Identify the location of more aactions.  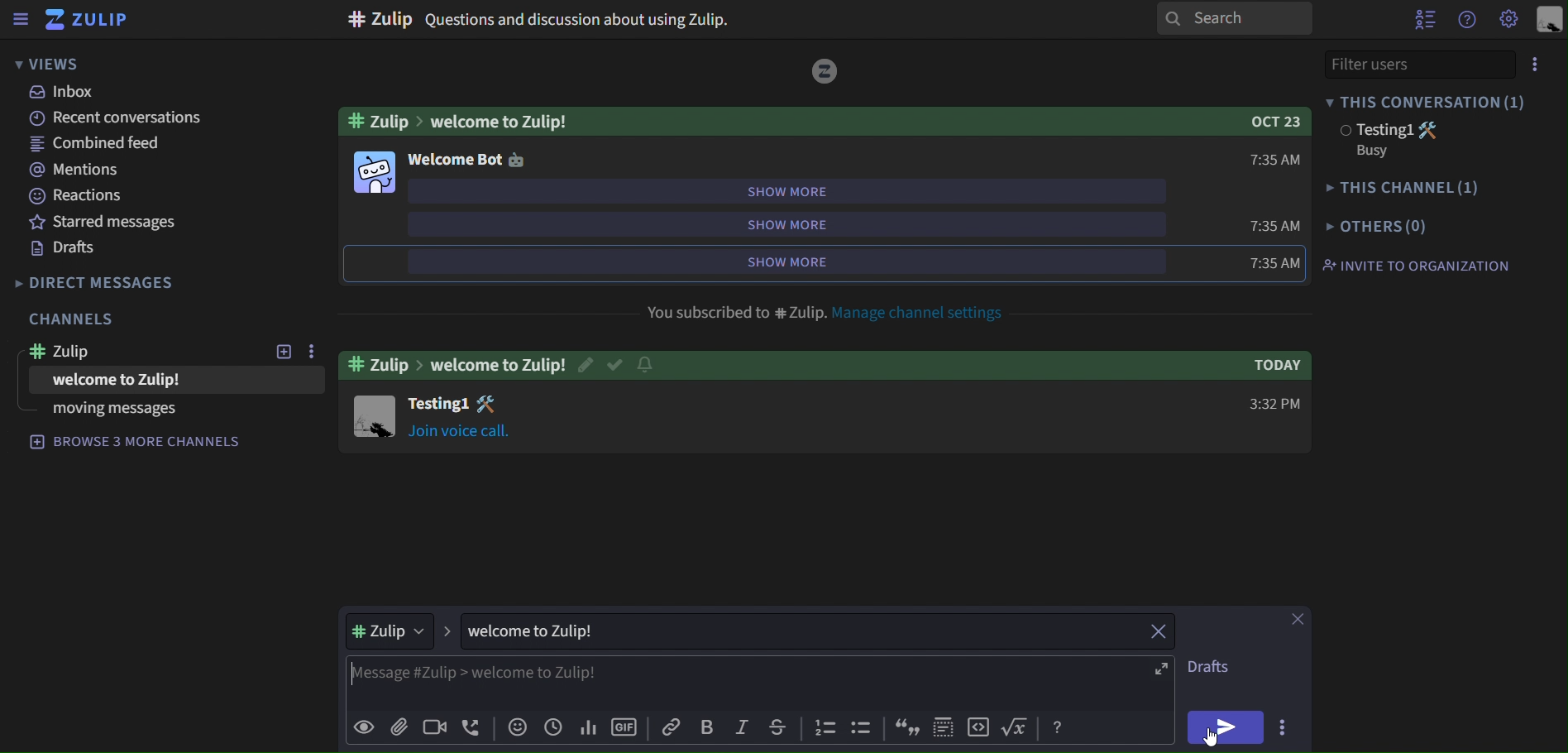
(1278, 725).